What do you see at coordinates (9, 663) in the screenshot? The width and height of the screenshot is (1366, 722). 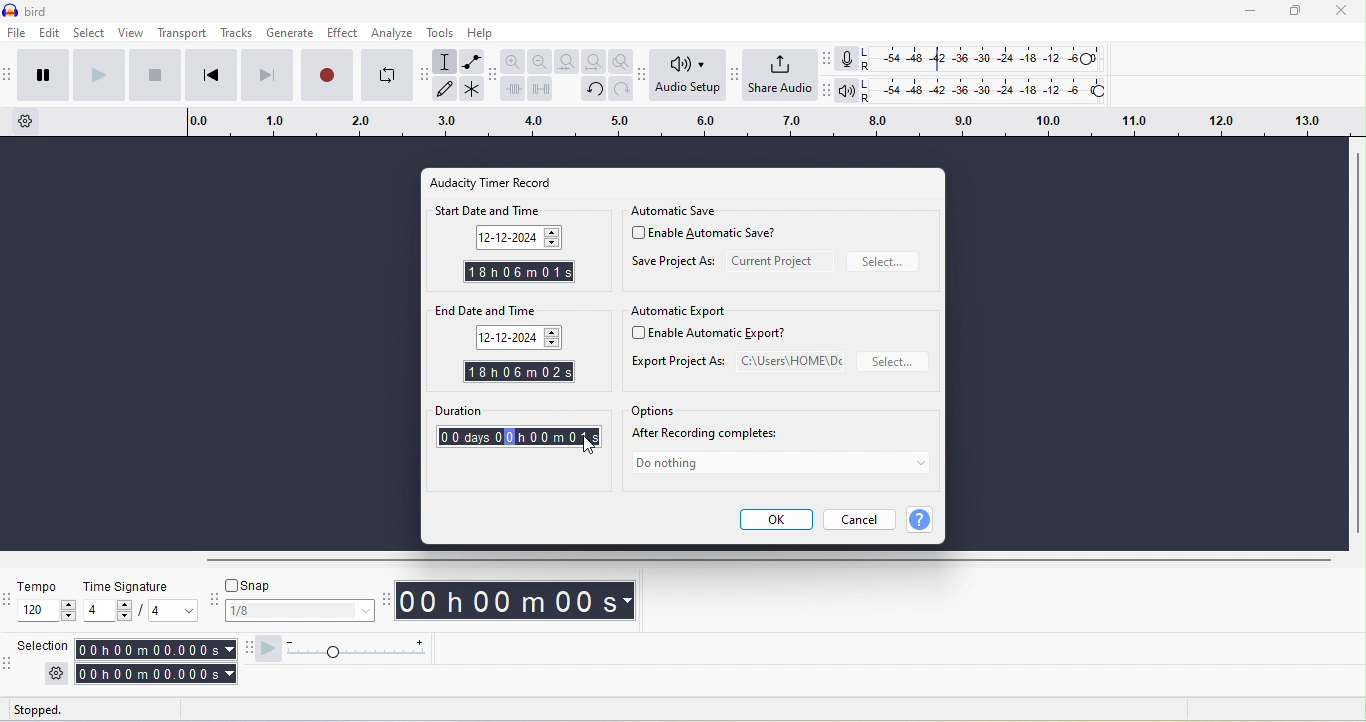 I see `audacity selection toolbar` at bounding box center [9, 663].